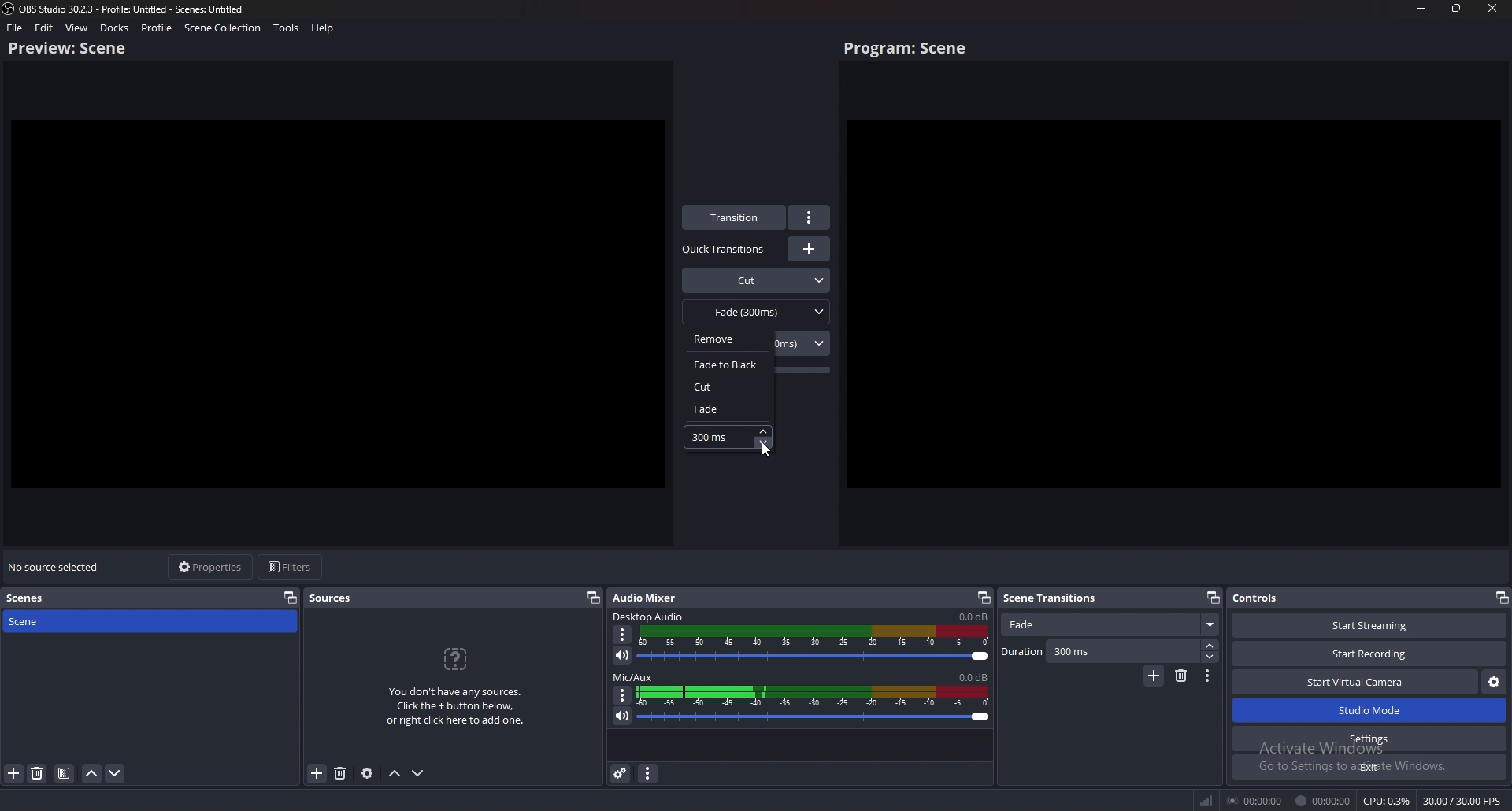 Image resolution: width=1512 pixels, height=811 pixels. What do you see at coordinates (457, 659) in the screenshot?
I see `question icon` at bounding box center [457, 659].